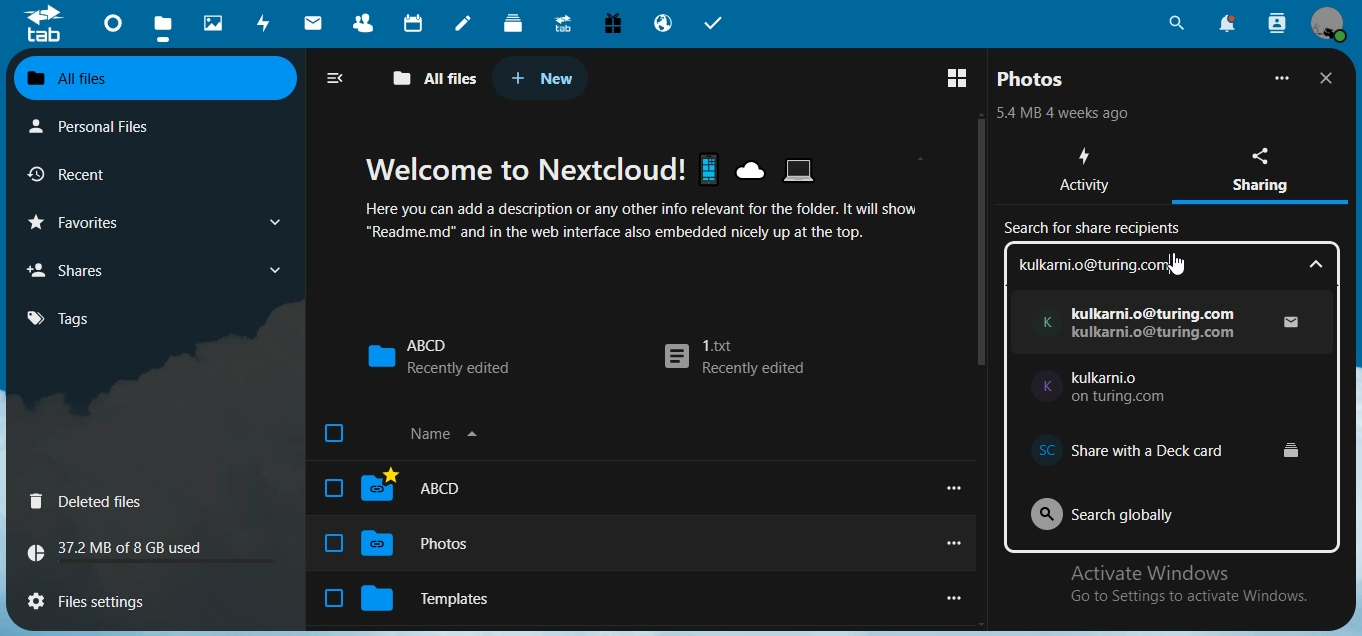  What do you see at coordinates (1174, 264) in the screenshot?
I see `text` at bounding box center [1174, 264].